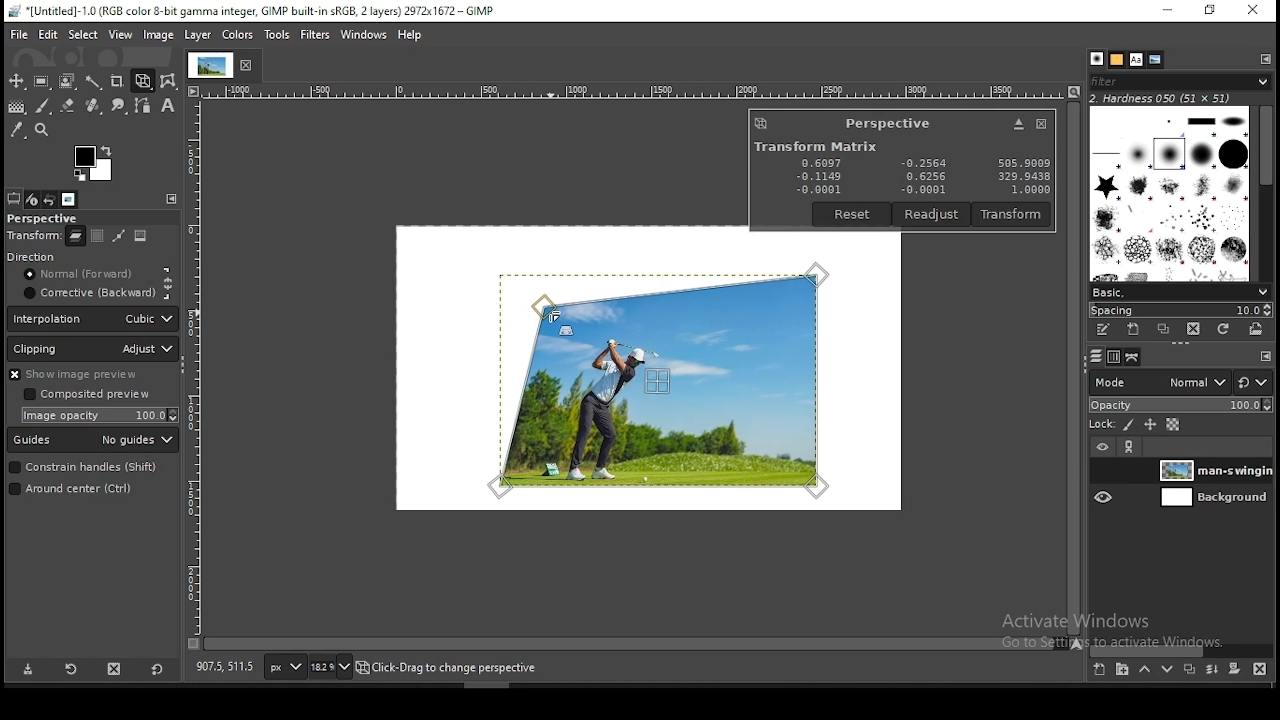 The image size is (1280, 720). What do you see at coordinates (1103, 425) in the screenshot?
I see `lock` at bounding box center [1103, 425].